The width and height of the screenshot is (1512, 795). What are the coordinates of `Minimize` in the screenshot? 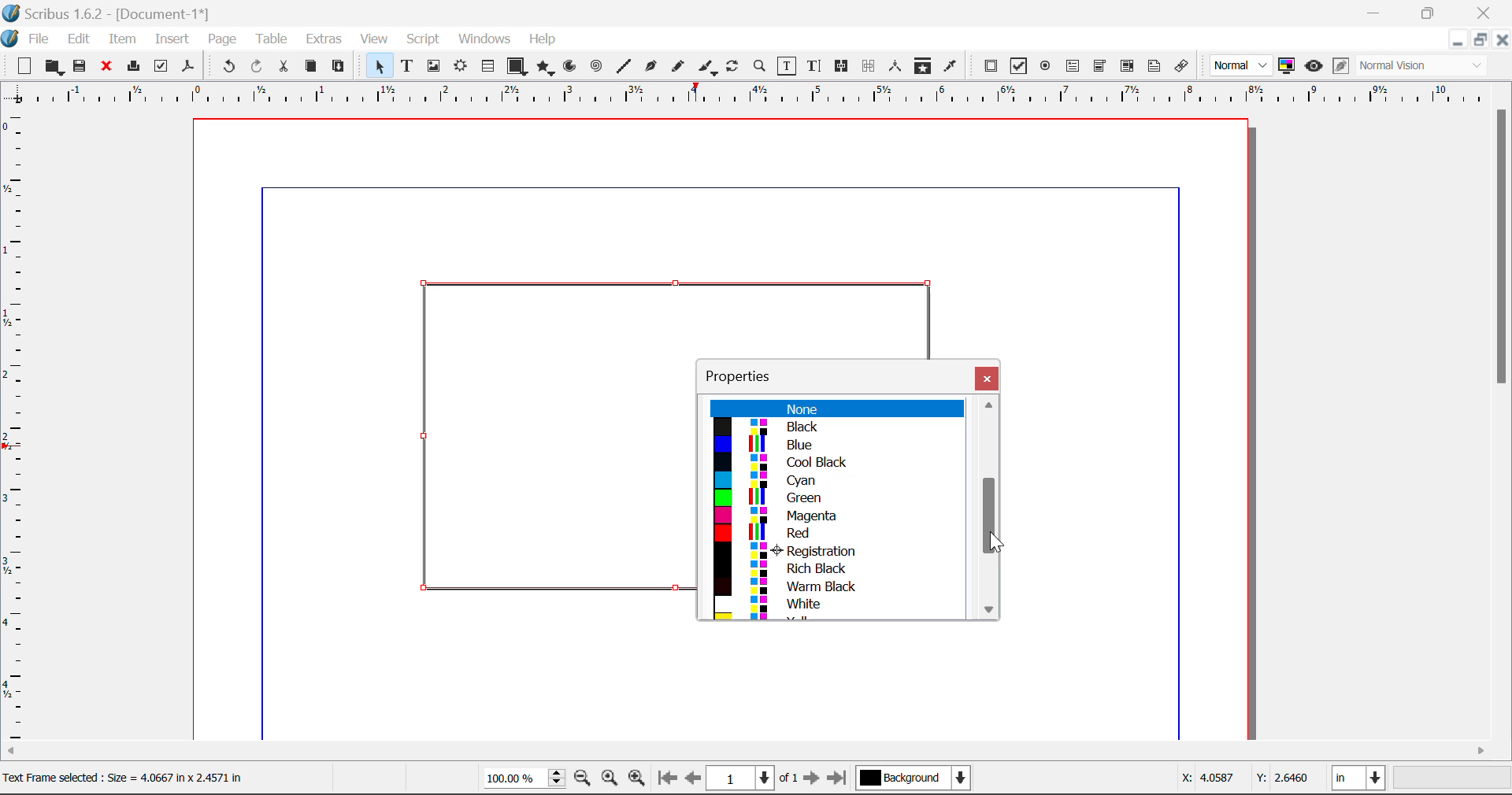 It's located at (1431, 12).